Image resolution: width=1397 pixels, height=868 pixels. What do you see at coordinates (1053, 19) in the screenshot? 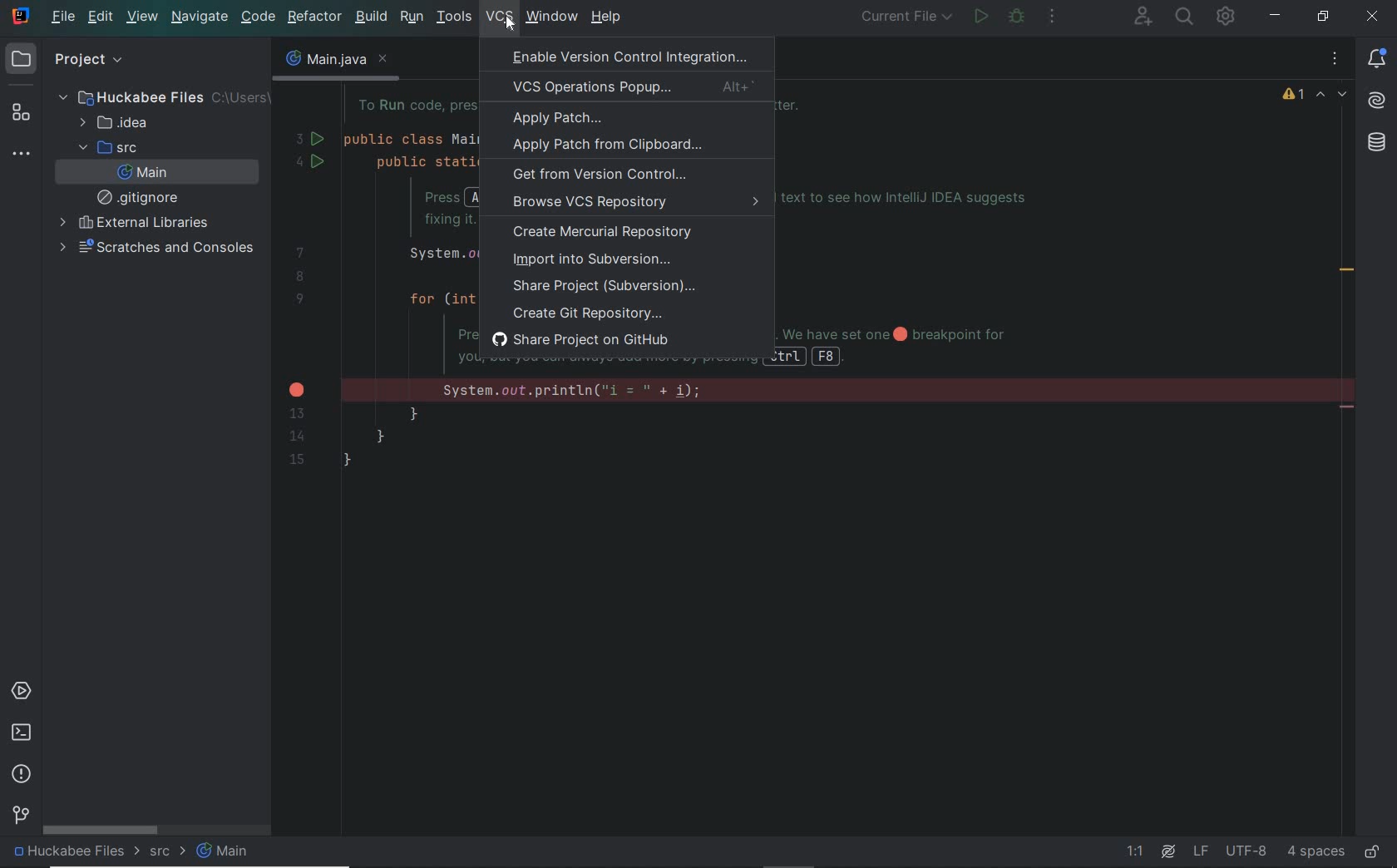
I see `More actions` at bounding box center [1053, 19].